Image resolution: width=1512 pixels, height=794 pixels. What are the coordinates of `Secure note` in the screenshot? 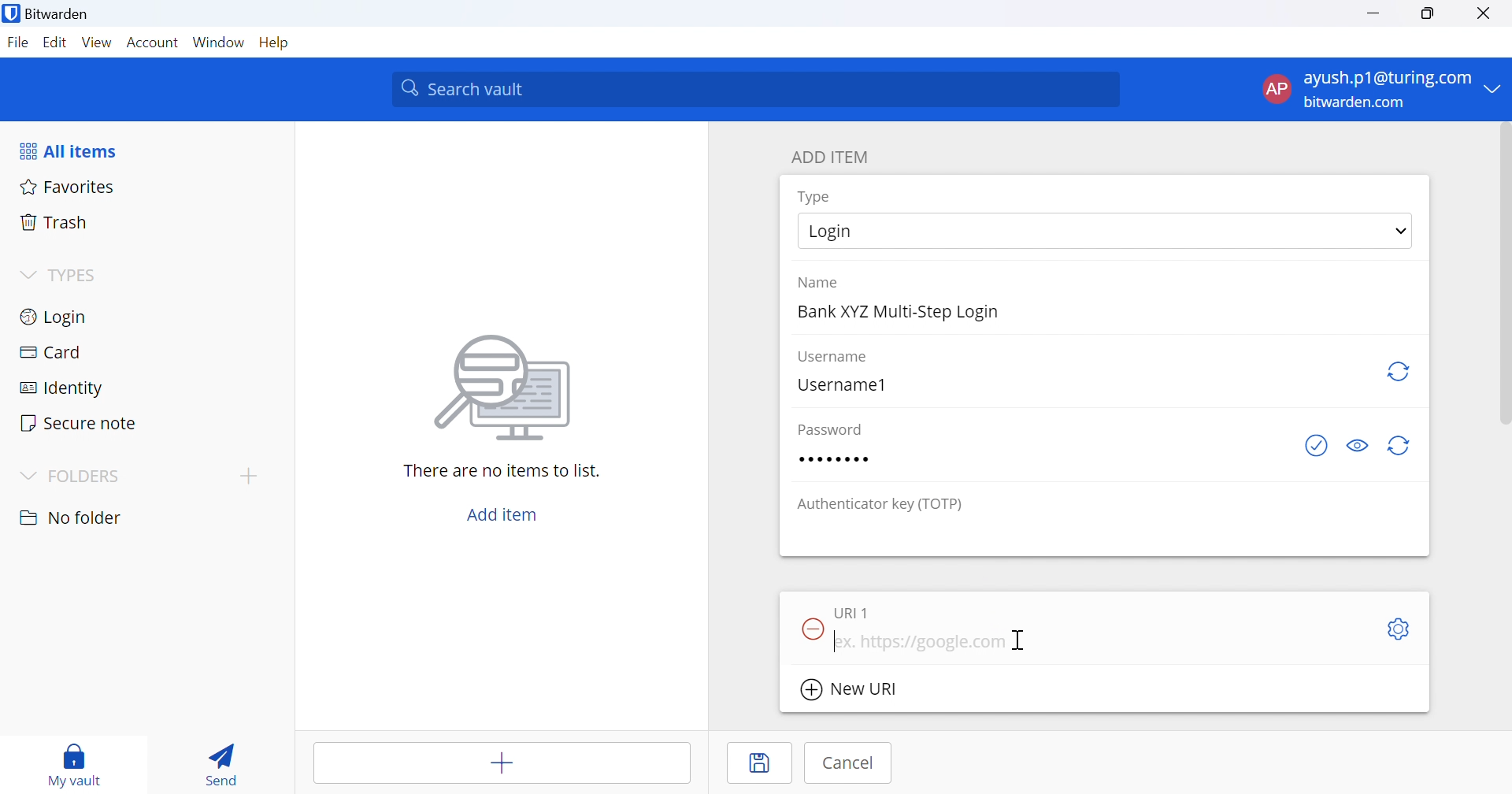 It's located at (81, 425).